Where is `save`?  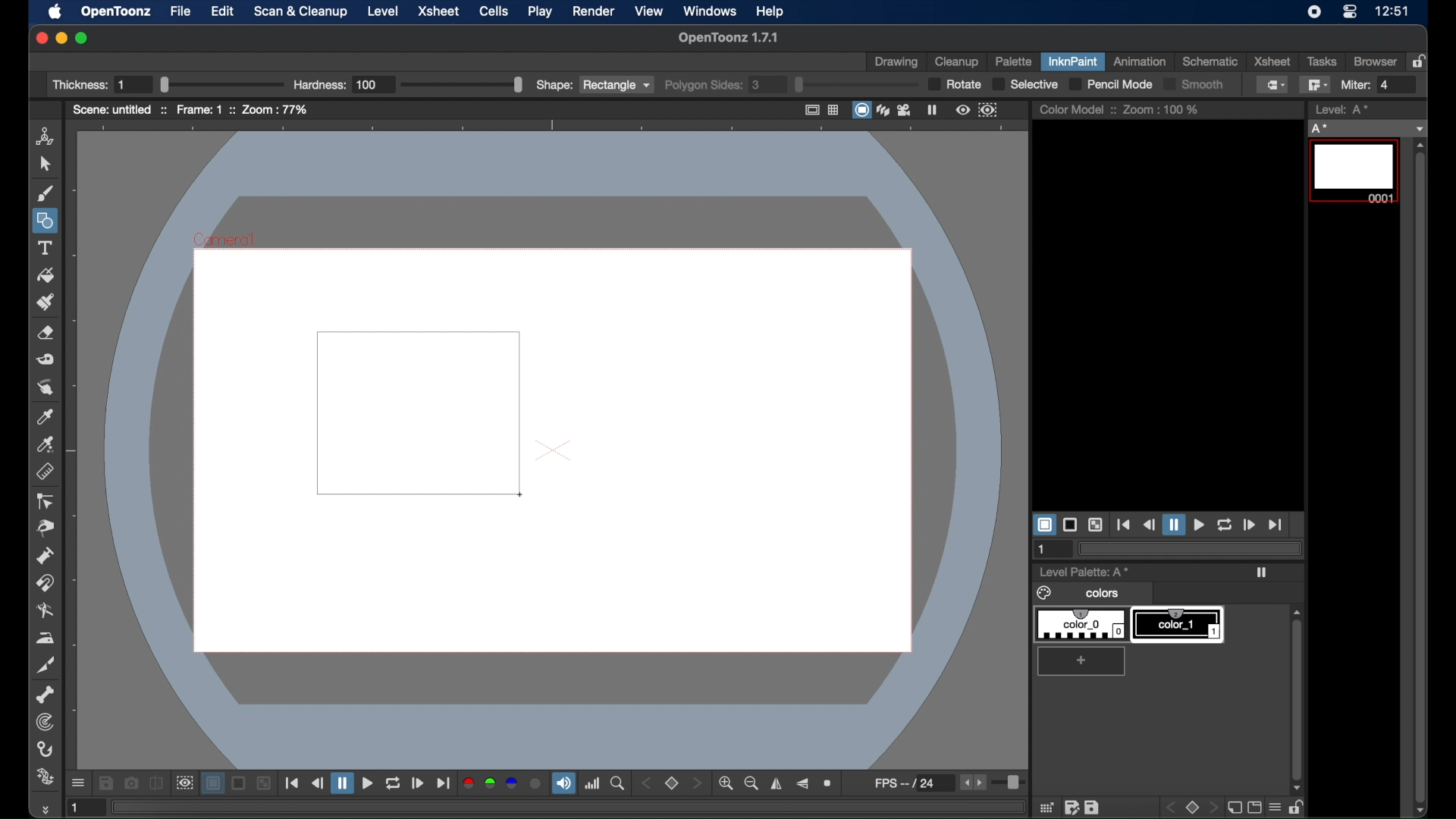 save is located at coordinates (1092, 807).